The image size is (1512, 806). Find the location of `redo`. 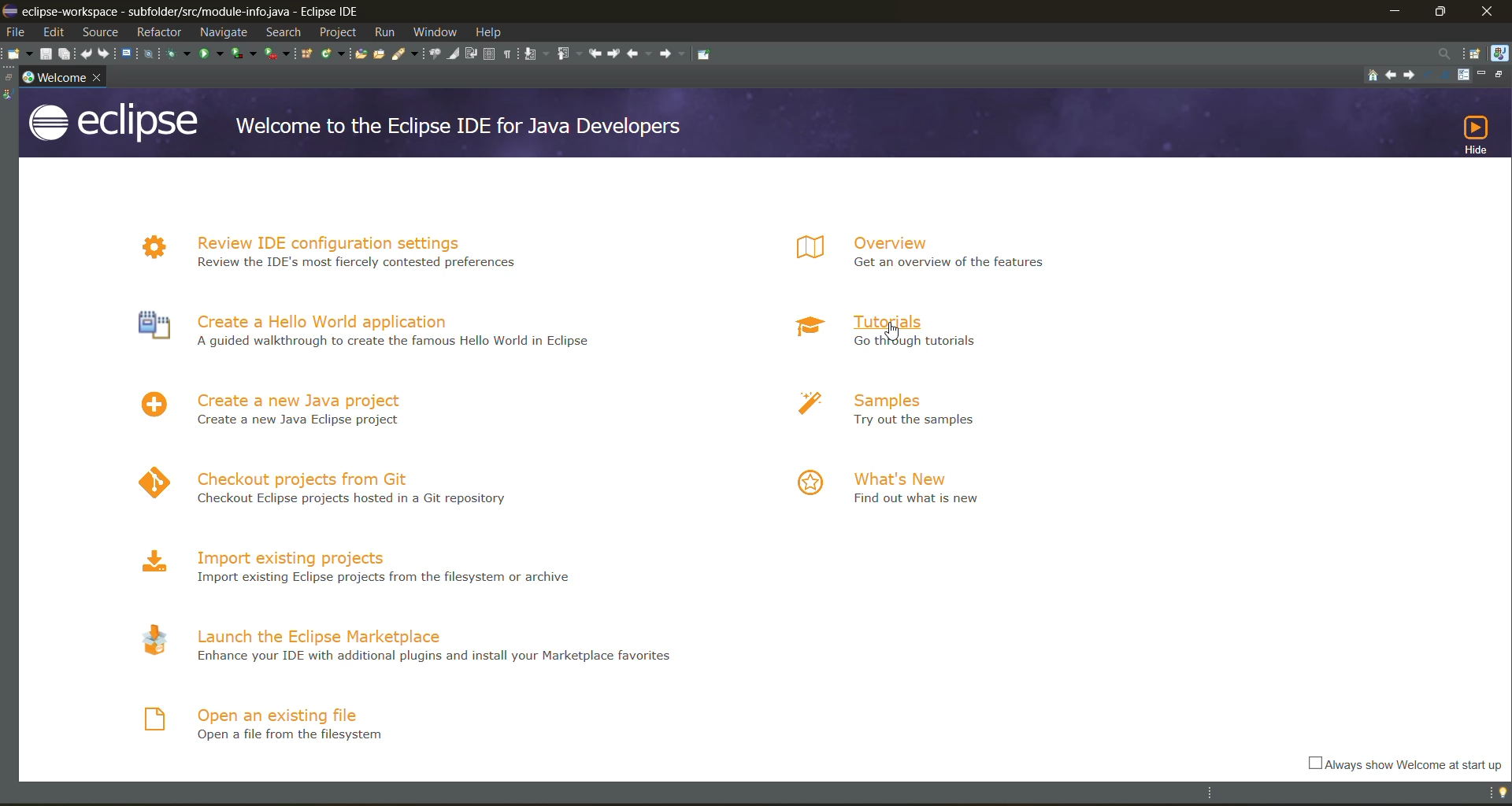

redo is located at coordinates (107, 53).